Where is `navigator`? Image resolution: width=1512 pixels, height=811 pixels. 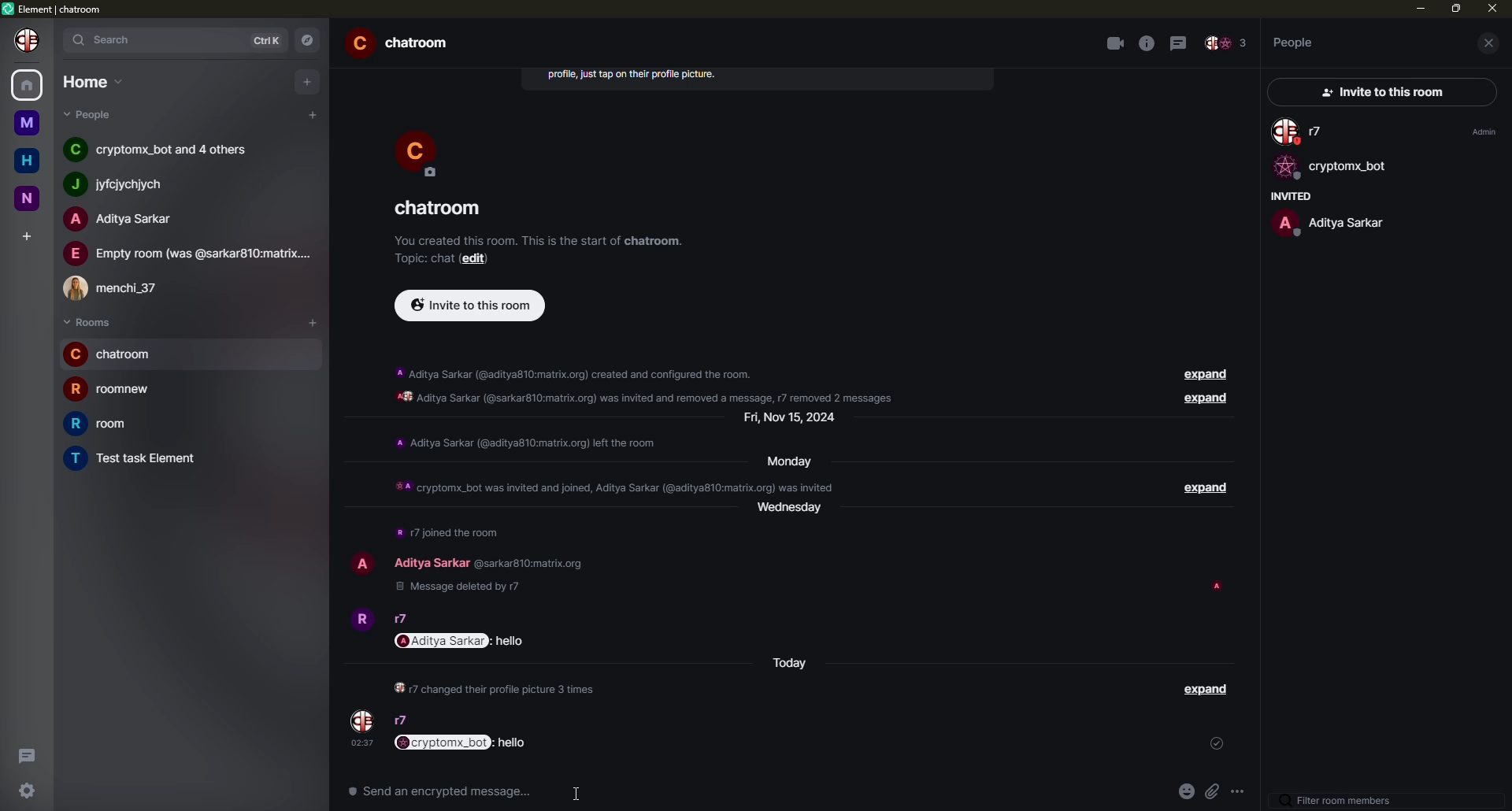
navigator is located at coordinates (312, 40).